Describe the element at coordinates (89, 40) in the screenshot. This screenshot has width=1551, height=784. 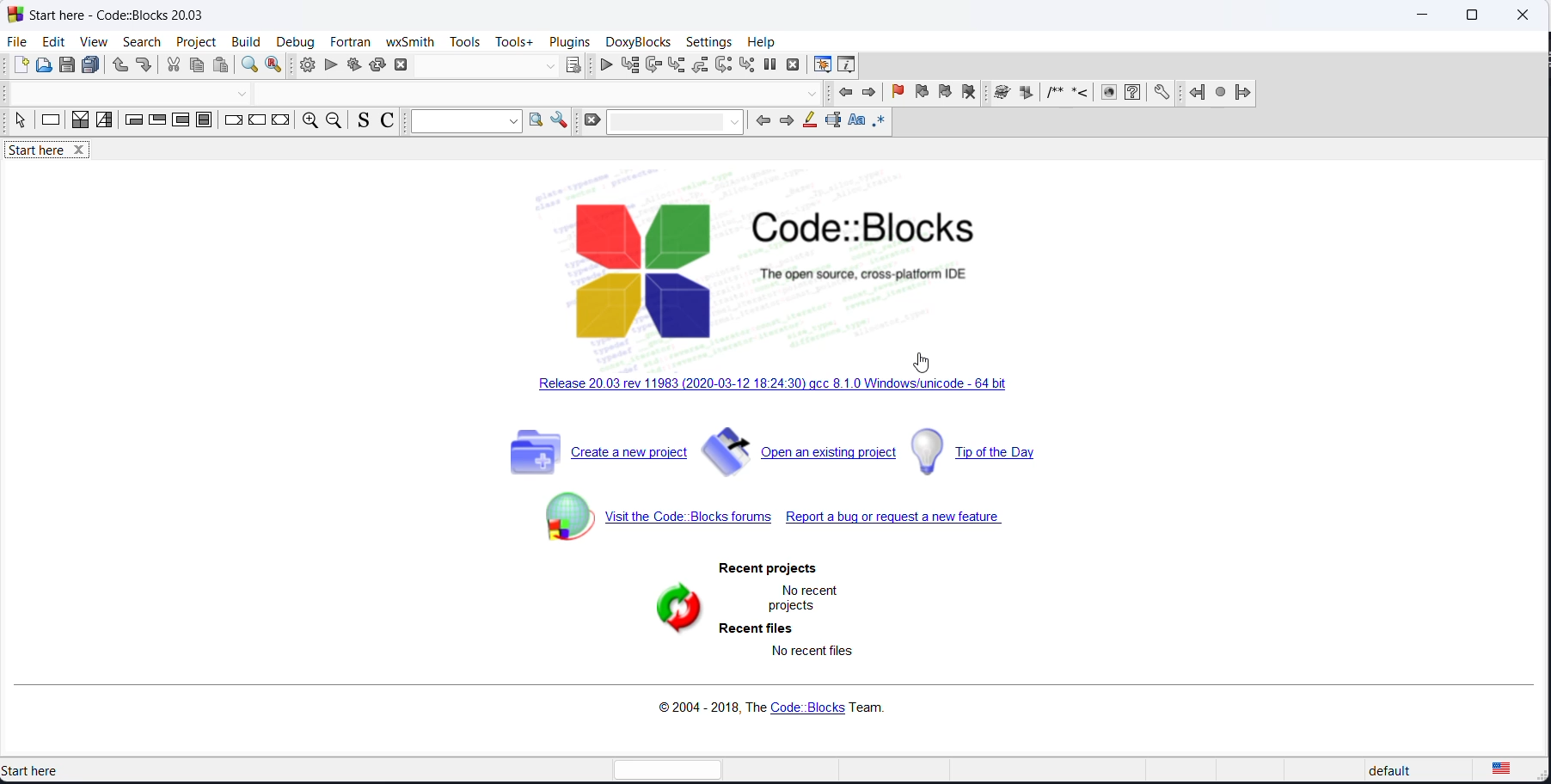
I see `view` at that location.